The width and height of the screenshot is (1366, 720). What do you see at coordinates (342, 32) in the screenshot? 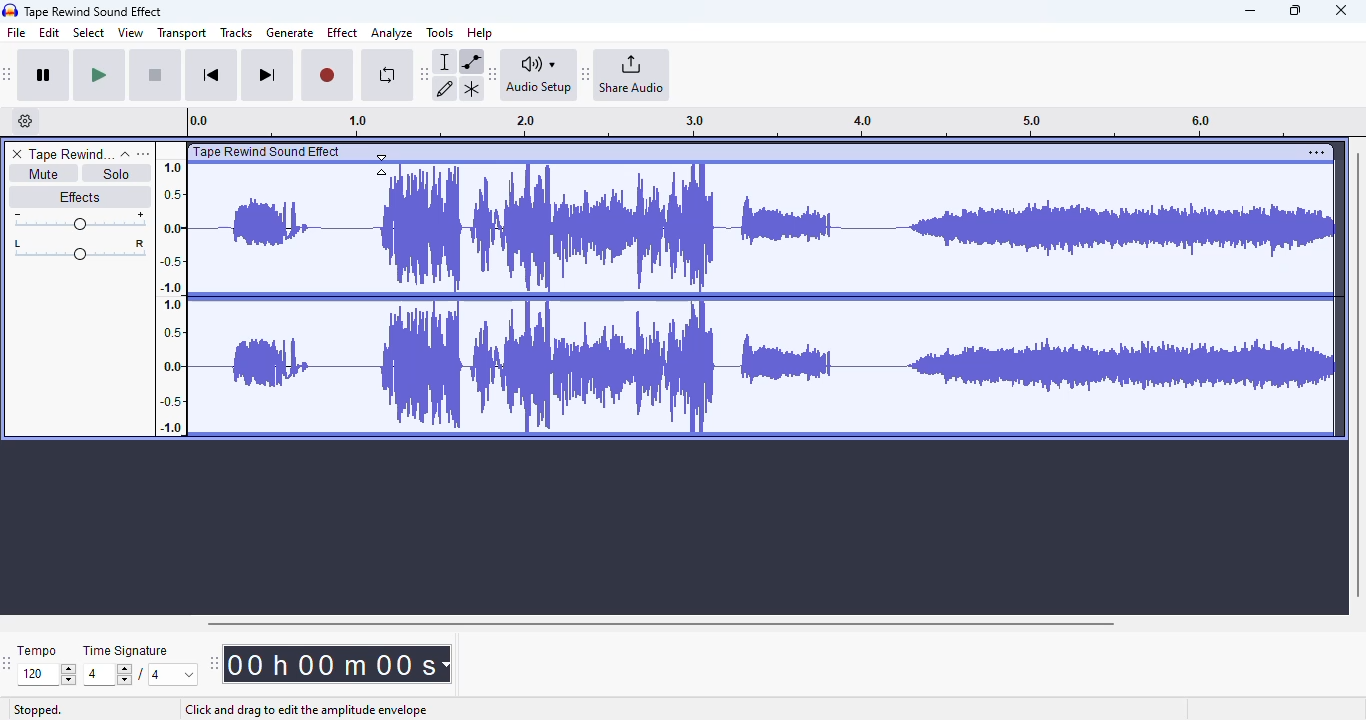
I see `effect` at bounding box center [342, 32].